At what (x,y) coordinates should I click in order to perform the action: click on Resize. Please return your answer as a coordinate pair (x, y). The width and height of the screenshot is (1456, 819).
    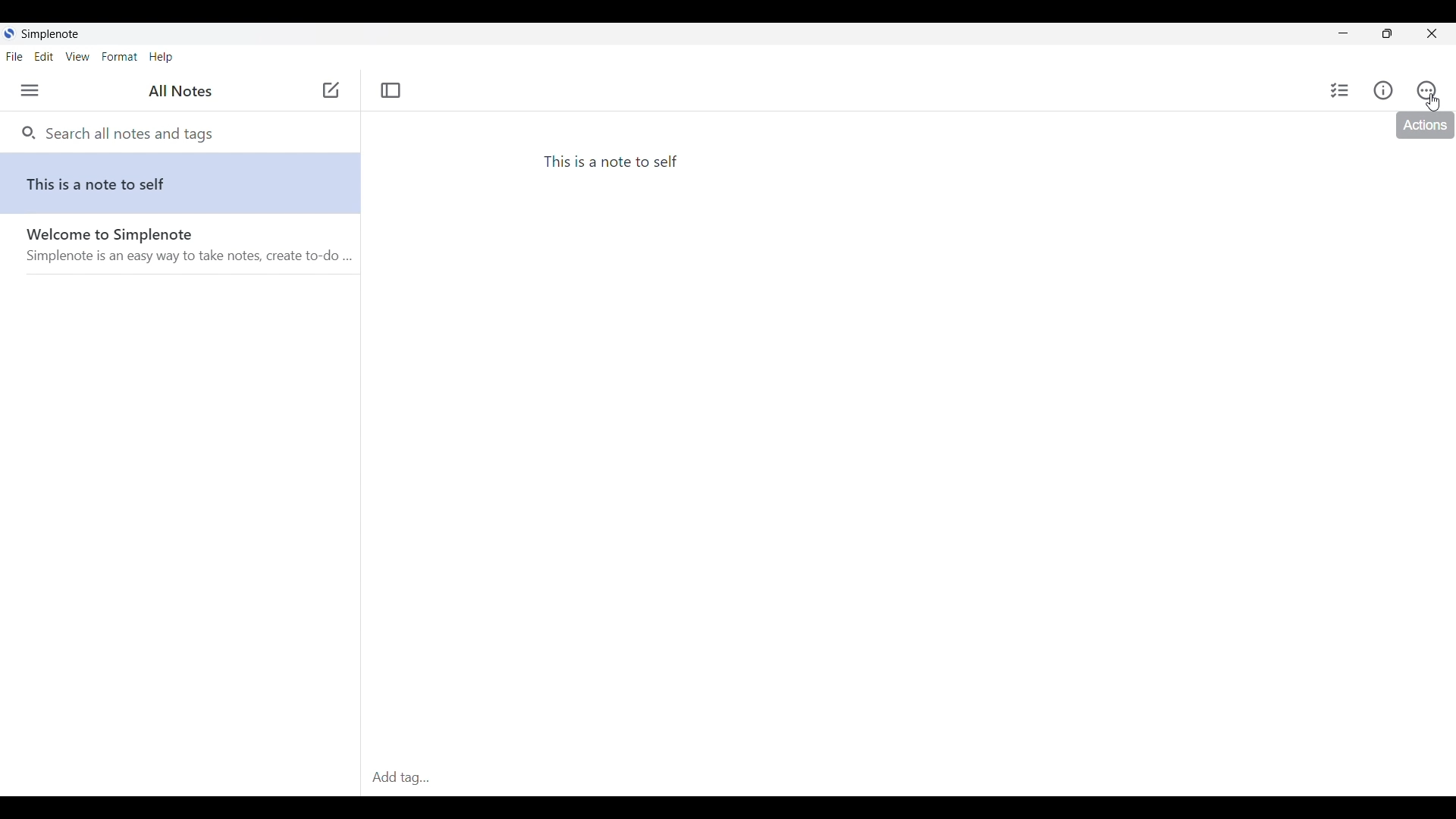
    Looking at the image, I should click on (1387, 33).